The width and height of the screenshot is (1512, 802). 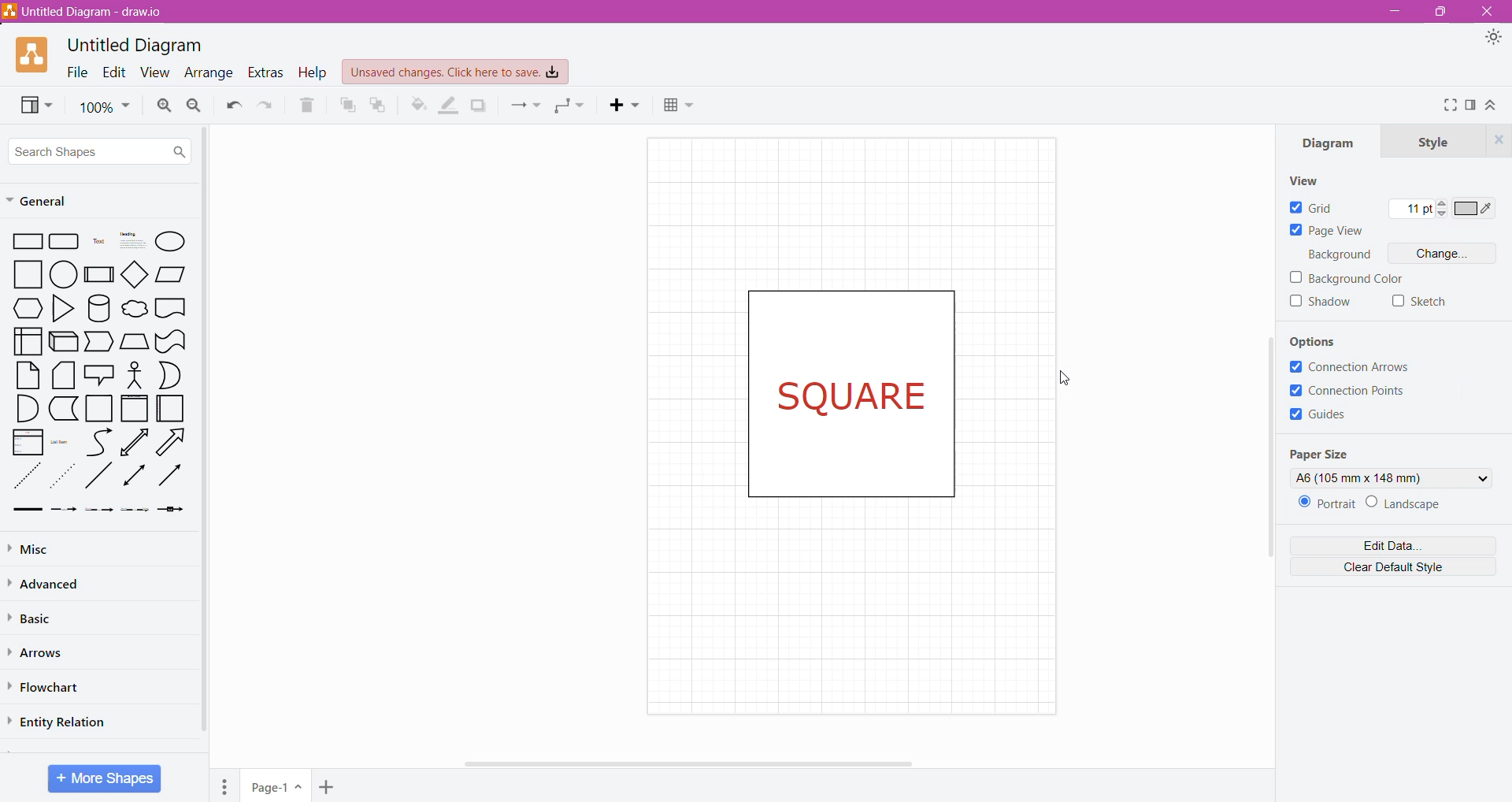 What do you see at coordinates (1417, 210) in the screenshot?
I see `Set width of the Grid` at bounding box center [1417, 210].